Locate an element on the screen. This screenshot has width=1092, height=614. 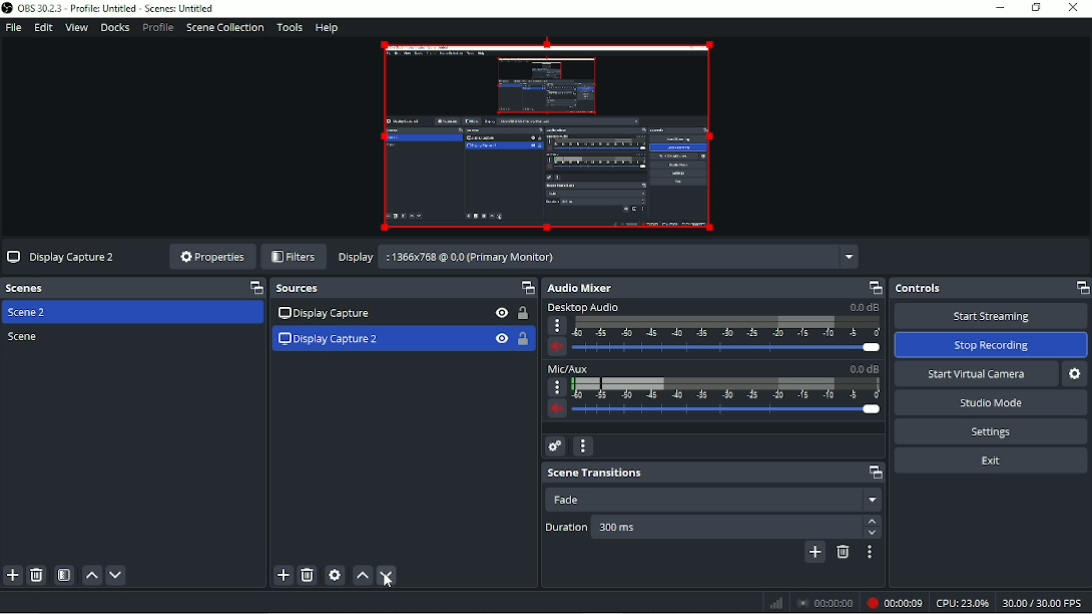
Docks is located at coordinates (114, 28).